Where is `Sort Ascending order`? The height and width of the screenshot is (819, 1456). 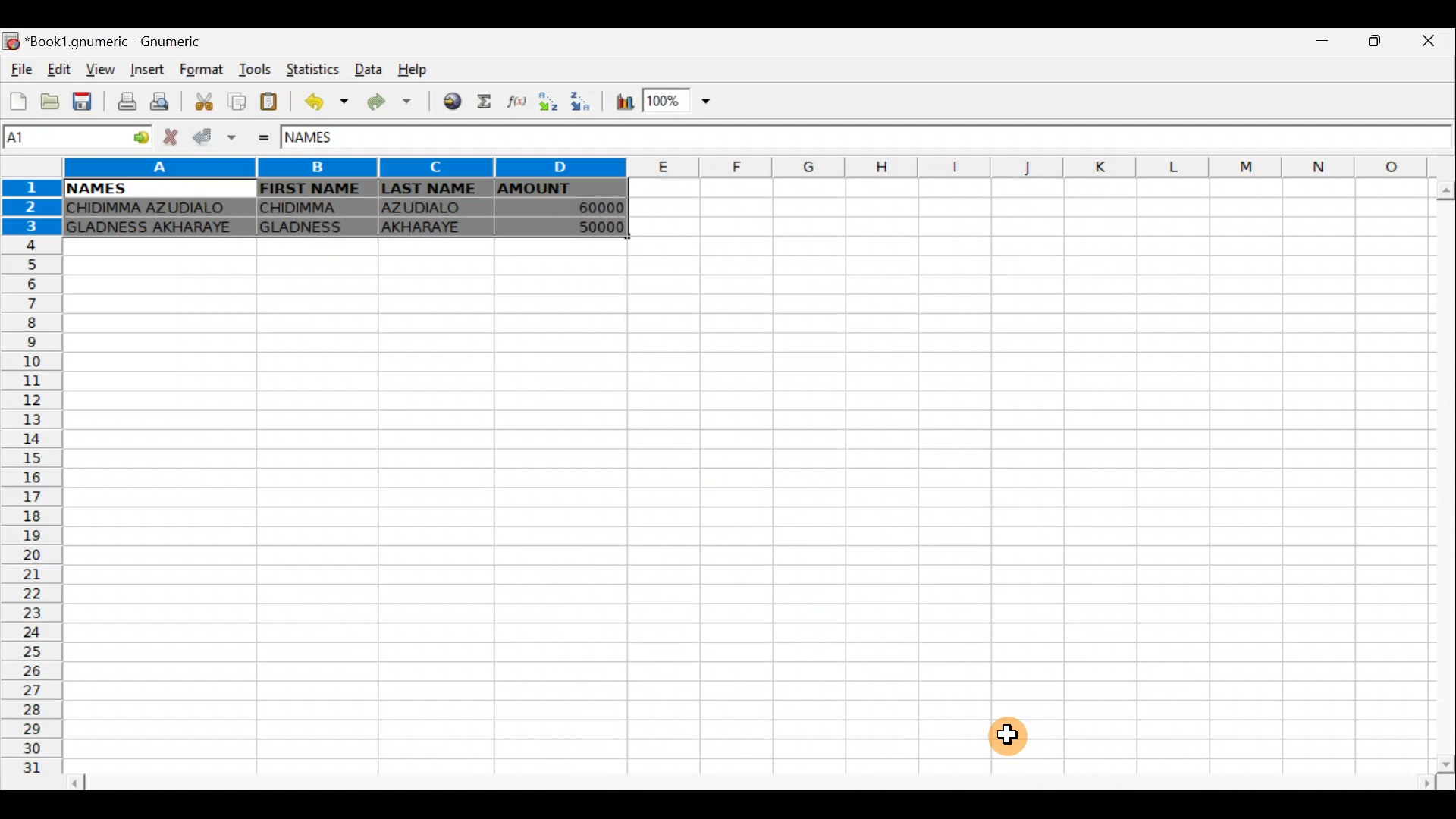 Sort Ascending order is located at coordinates (547, 102).